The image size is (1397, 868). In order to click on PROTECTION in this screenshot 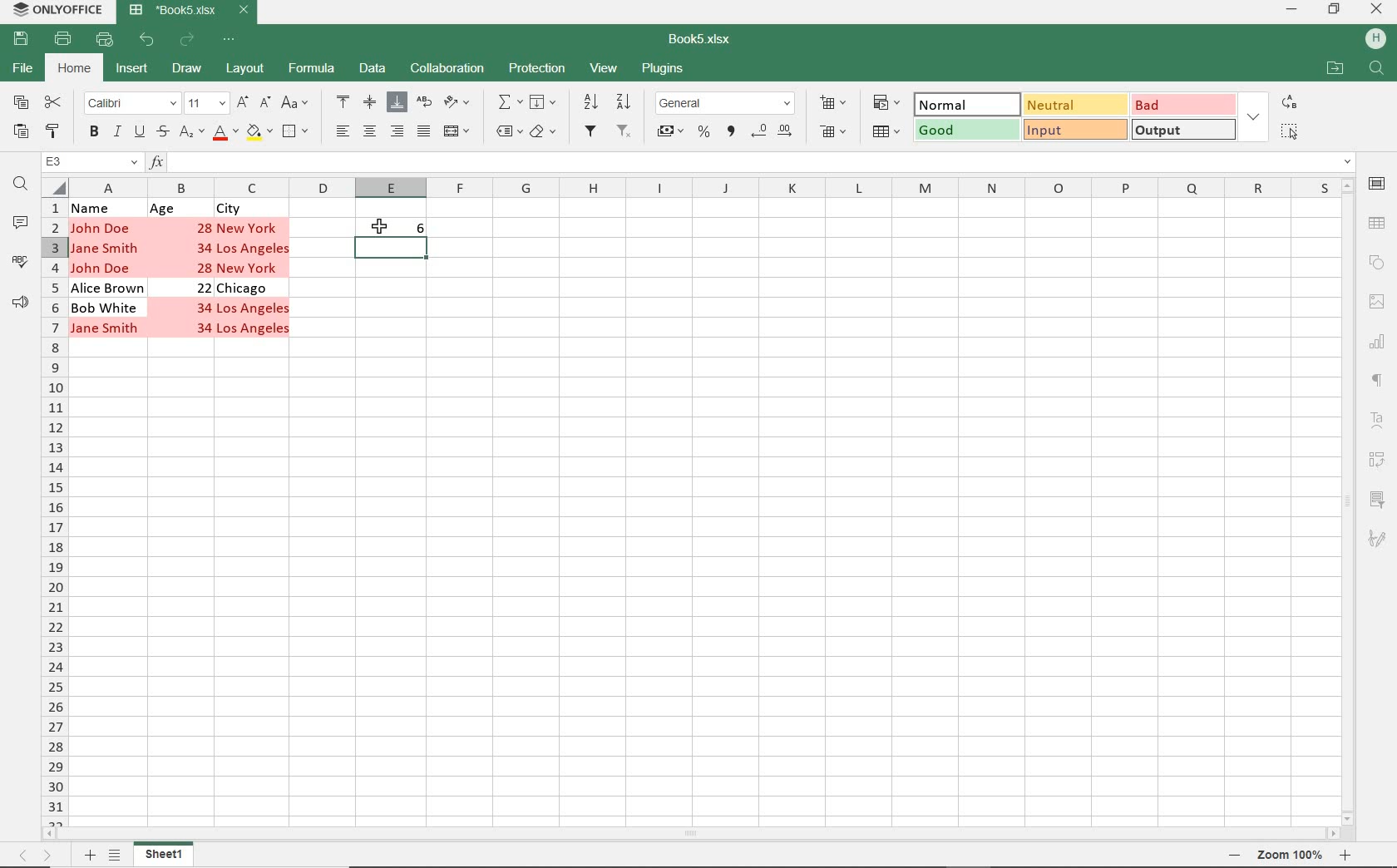, I will do `click(536, 70)`.